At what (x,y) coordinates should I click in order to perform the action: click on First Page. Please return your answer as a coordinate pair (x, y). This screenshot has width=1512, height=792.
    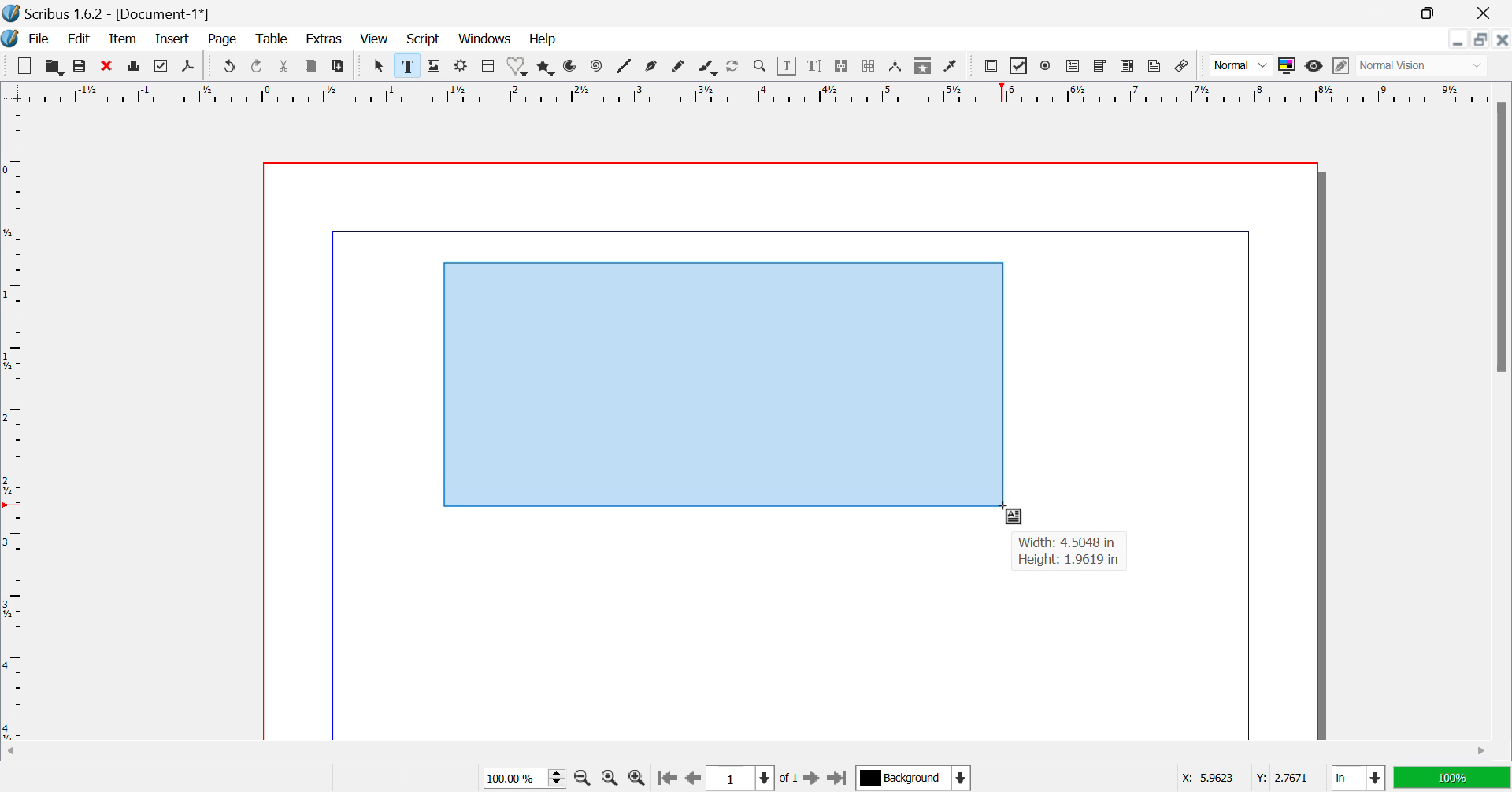
    Looking at the image, I should click on (666, 778).